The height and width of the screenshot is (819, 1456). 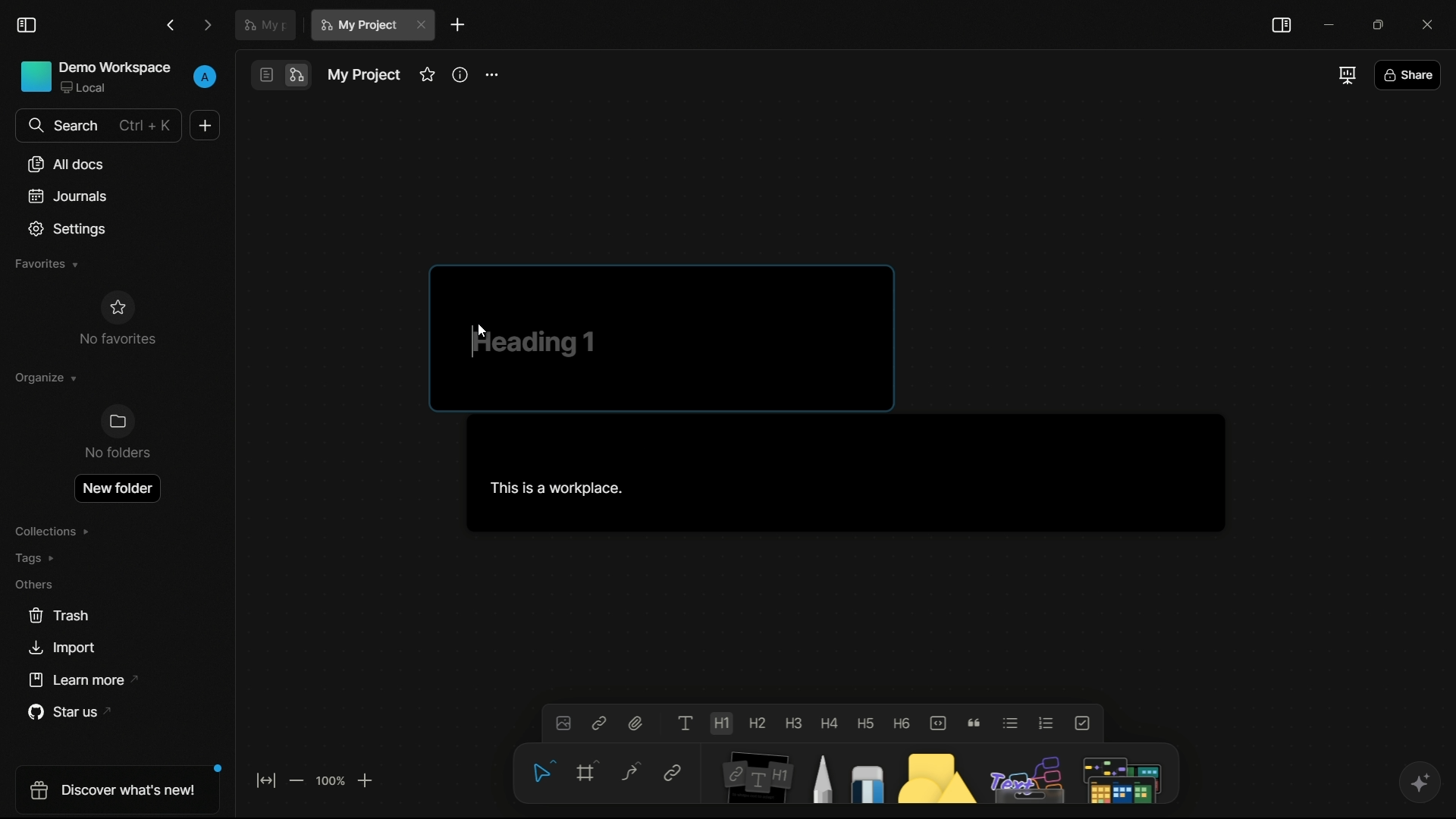 What do you see at coordinates (426, 74) in the screenshot?
I see `favorites` at bounding box center [426, 74].